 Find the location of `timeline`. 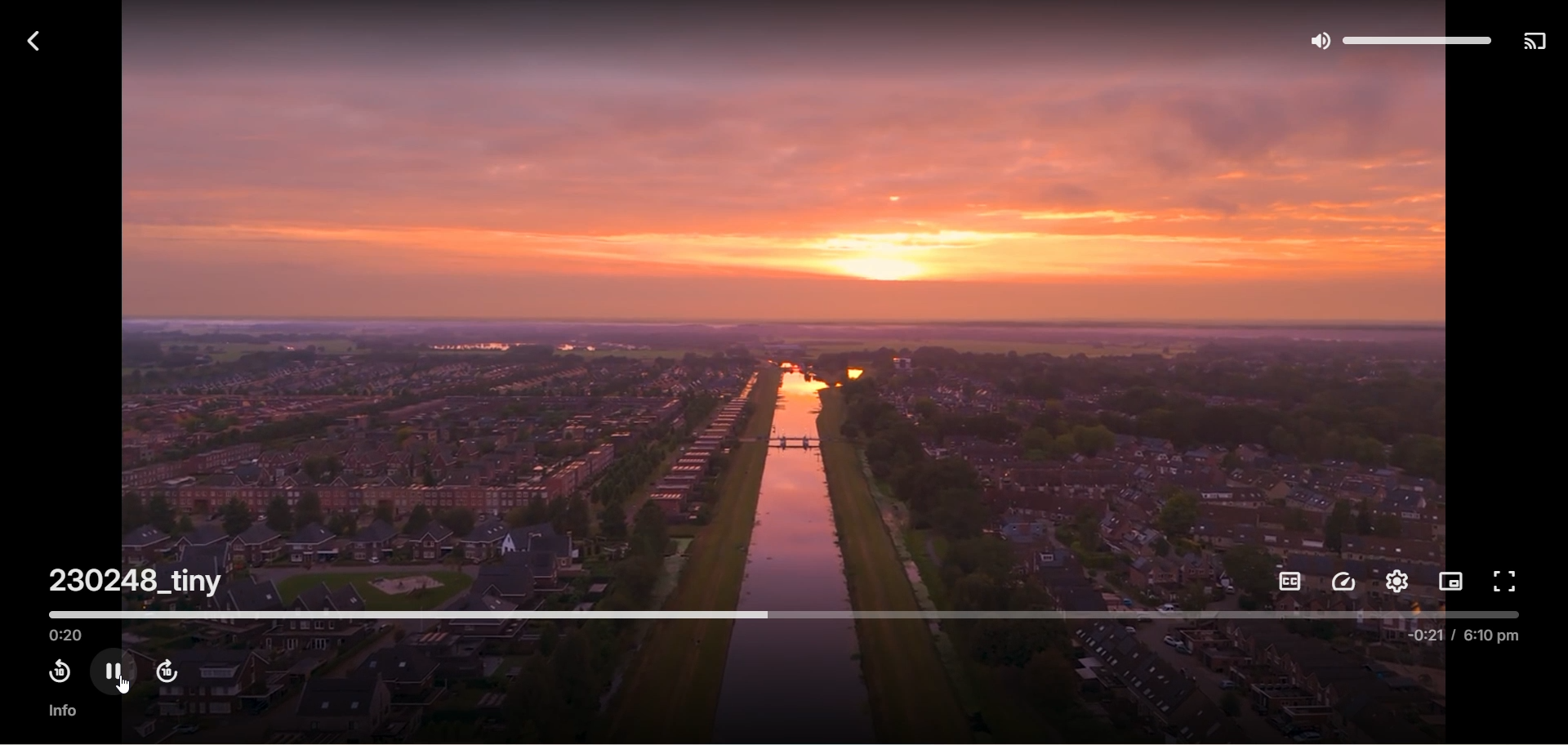

timeline is located at coordinates (790, 613).